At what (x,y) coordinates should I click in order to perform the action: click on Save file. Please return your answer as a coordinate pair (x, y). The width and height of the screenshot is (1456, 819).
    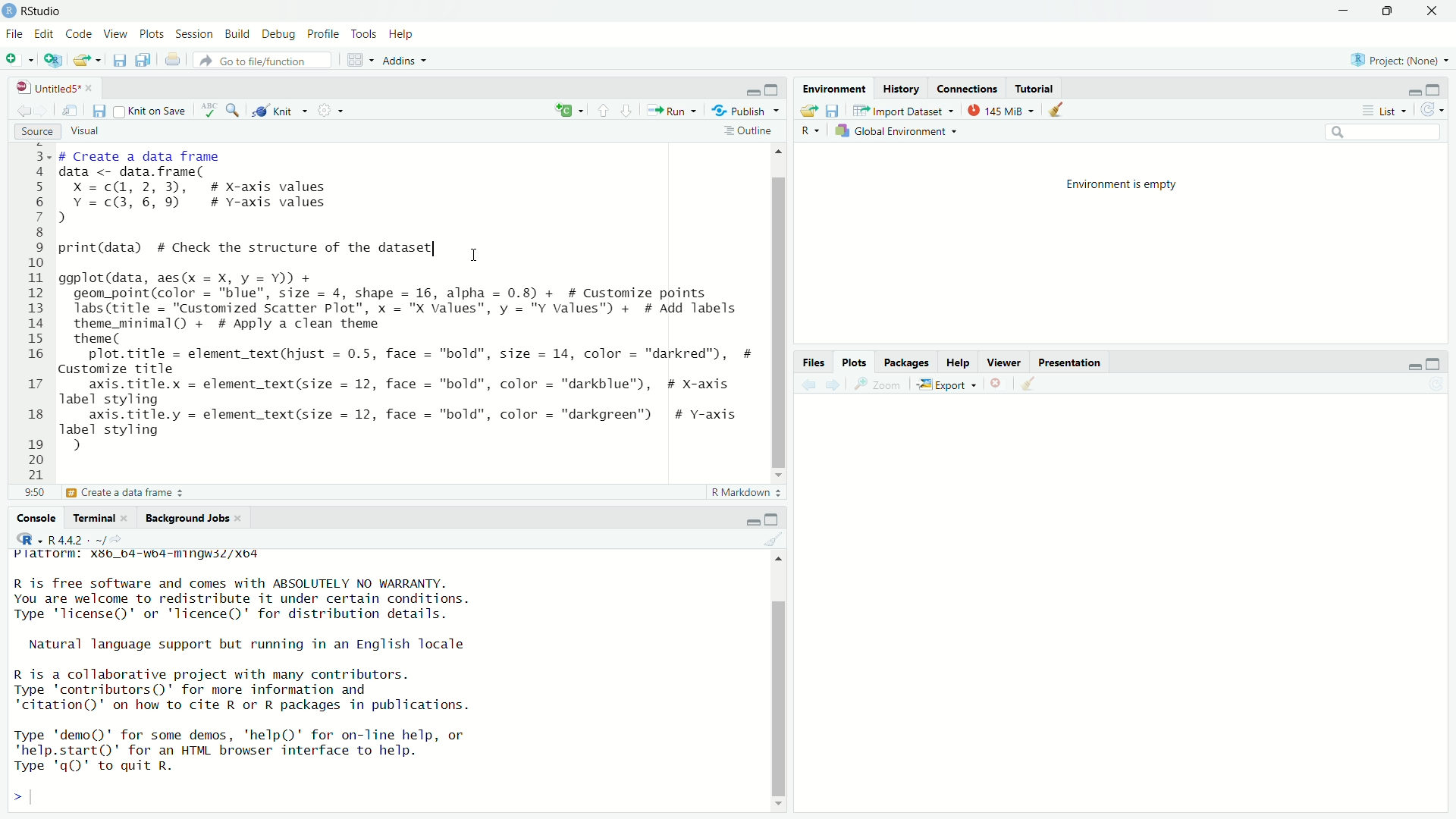
    Looking at the image, I should click on (833, 111).